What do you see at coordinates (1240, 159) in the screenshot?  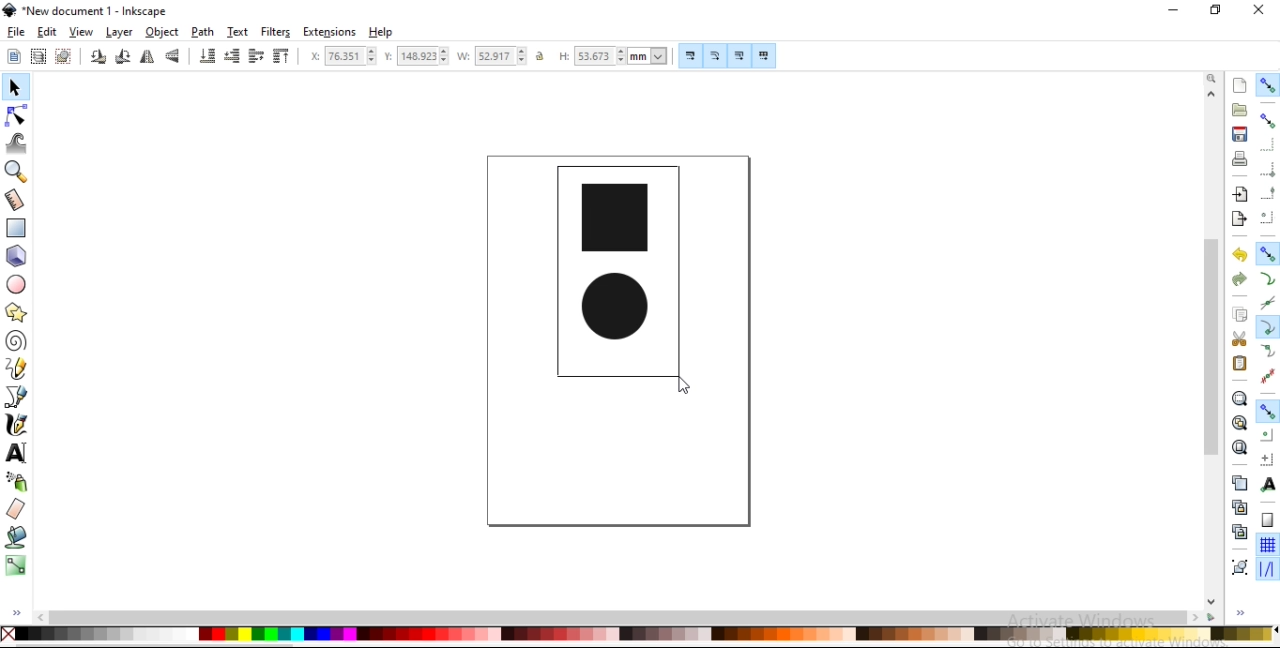 I see `print document` at bounding box center [1240, 159].